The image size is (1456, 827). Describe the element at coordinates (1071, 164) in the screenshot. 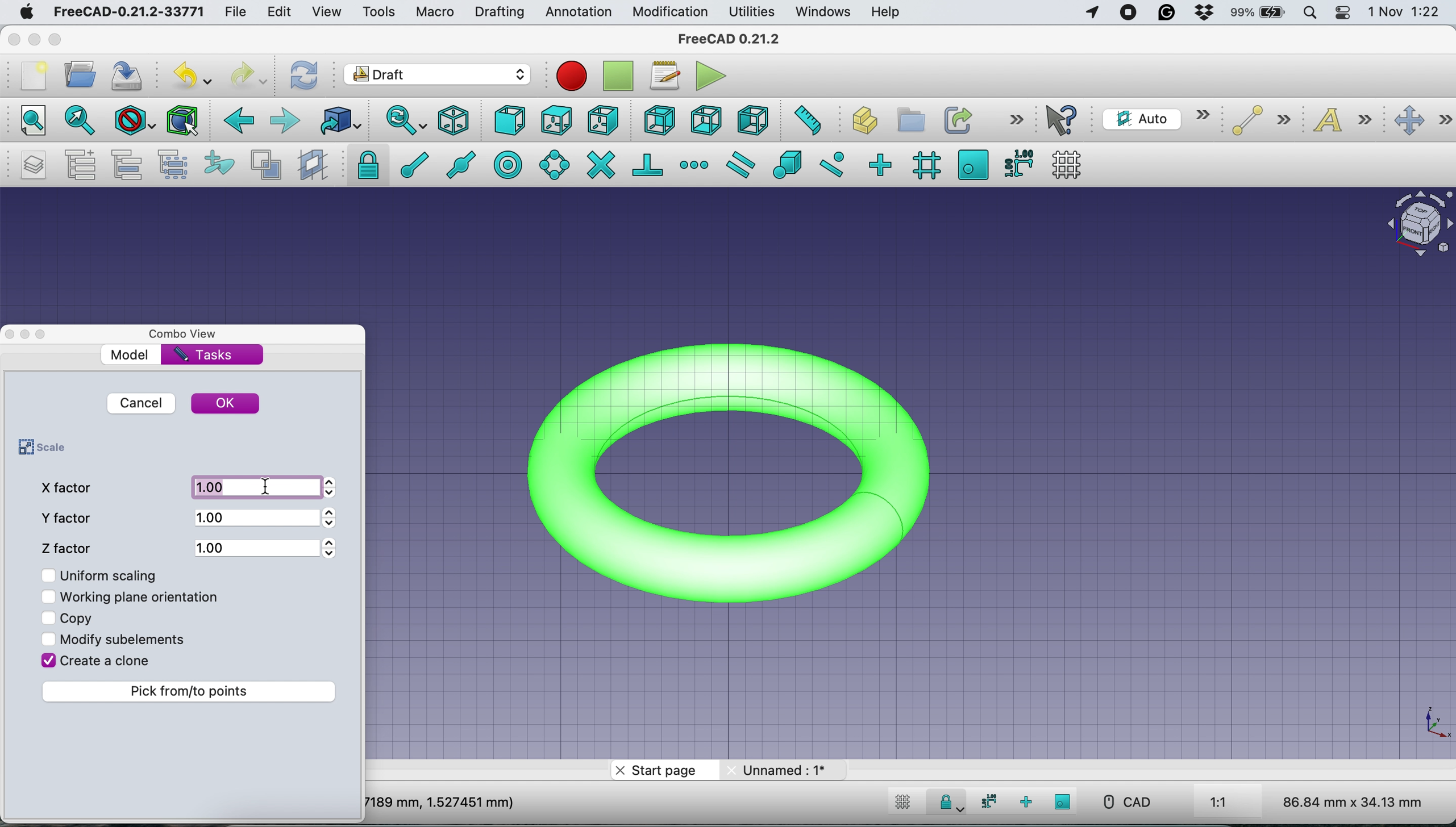

I see `toggle grid` at that location.